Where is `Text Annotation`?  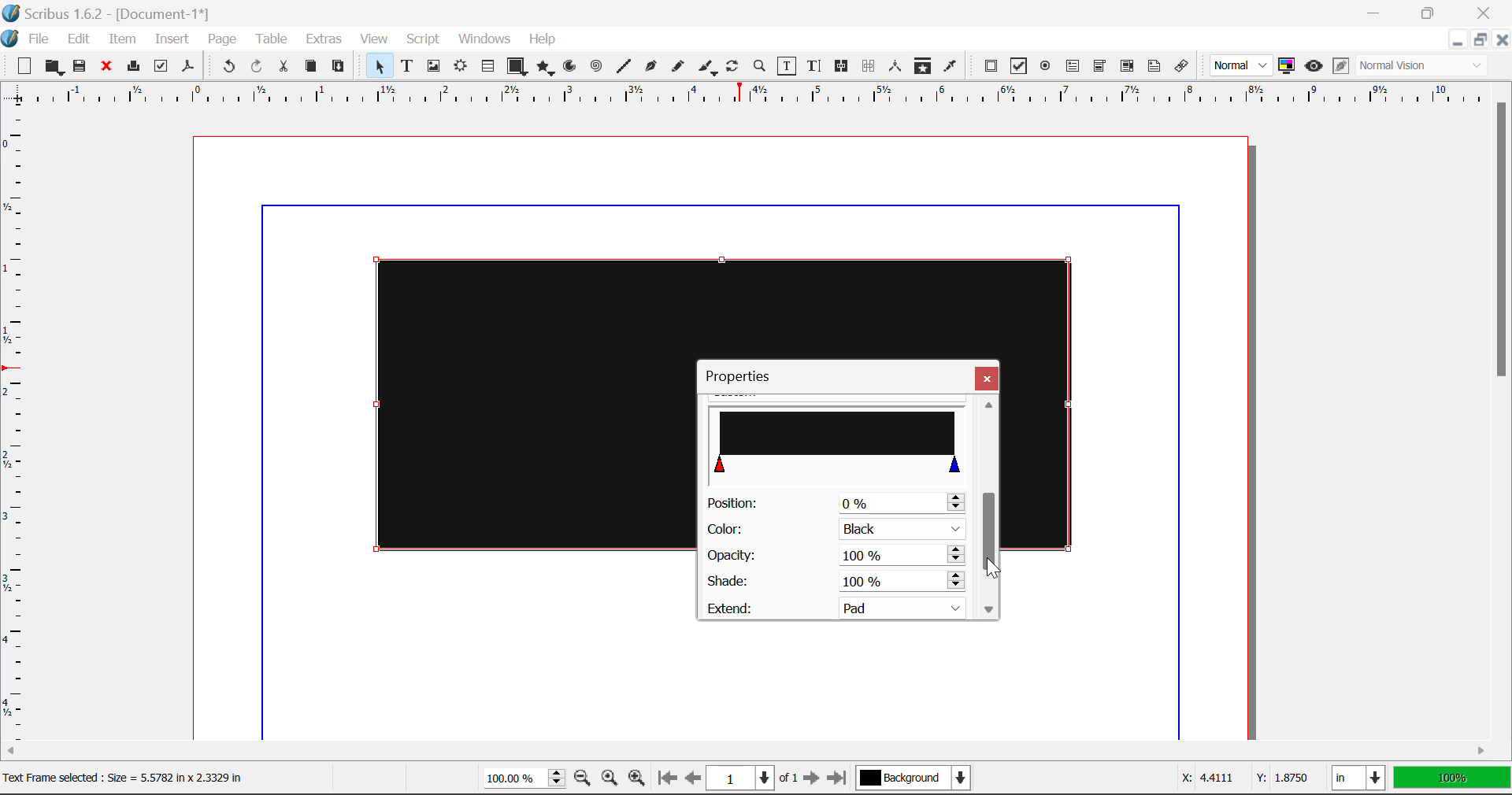
Text Annotation is located at coordinates (1157, 67).